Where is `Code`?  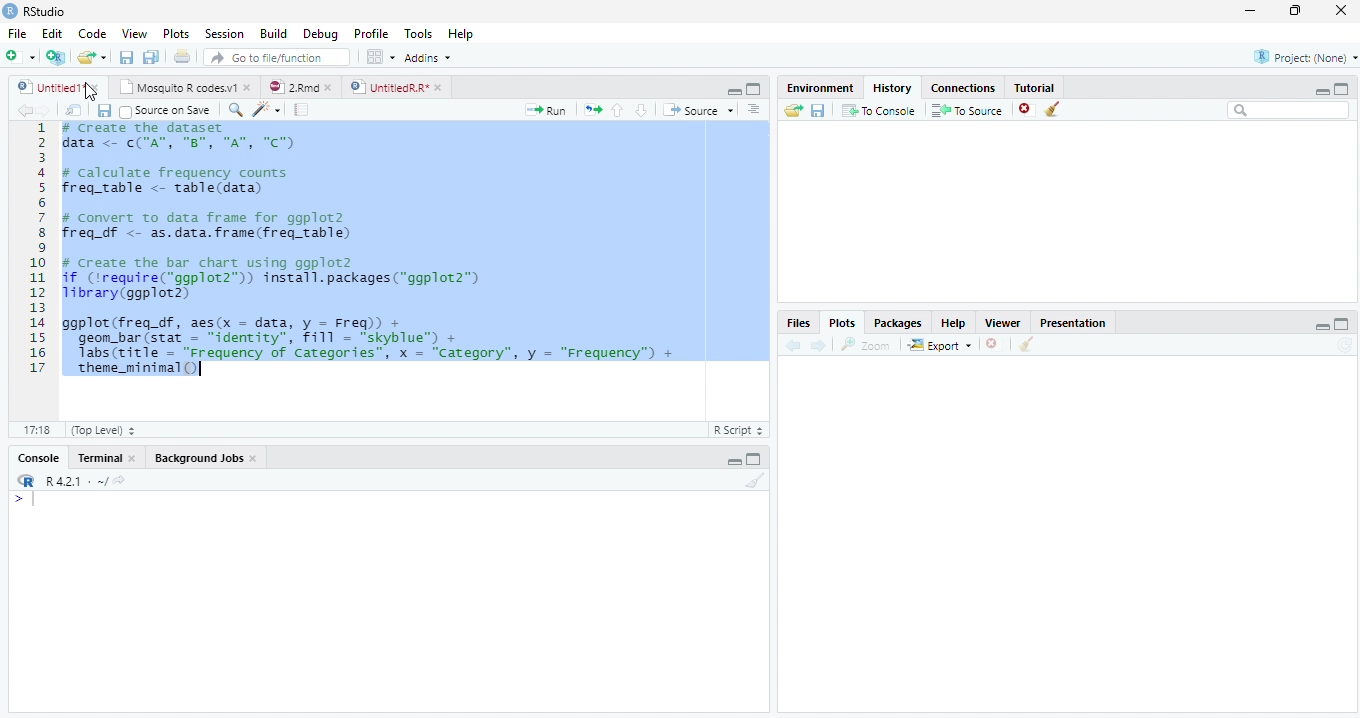
Code is located at coordinates (96, 34).